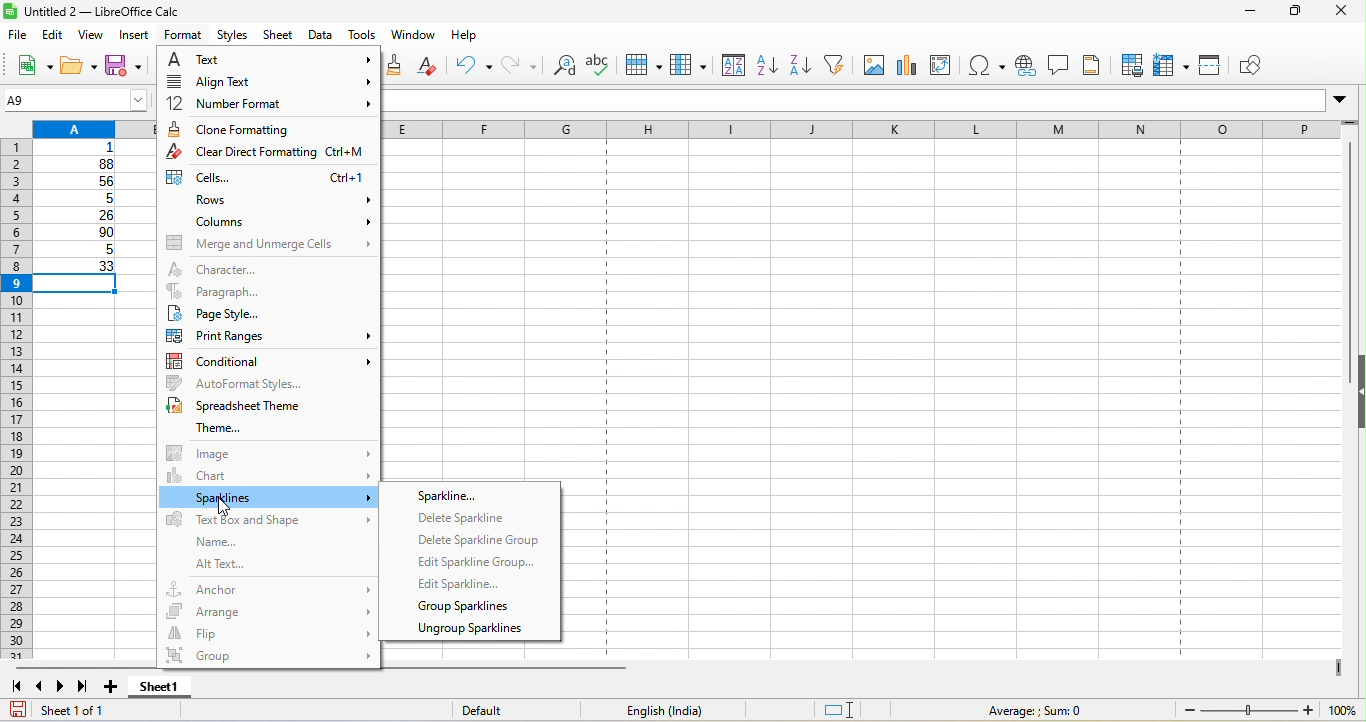 This screenshot has width=1366, height=722. I want to click on page style, so click(268, 313).